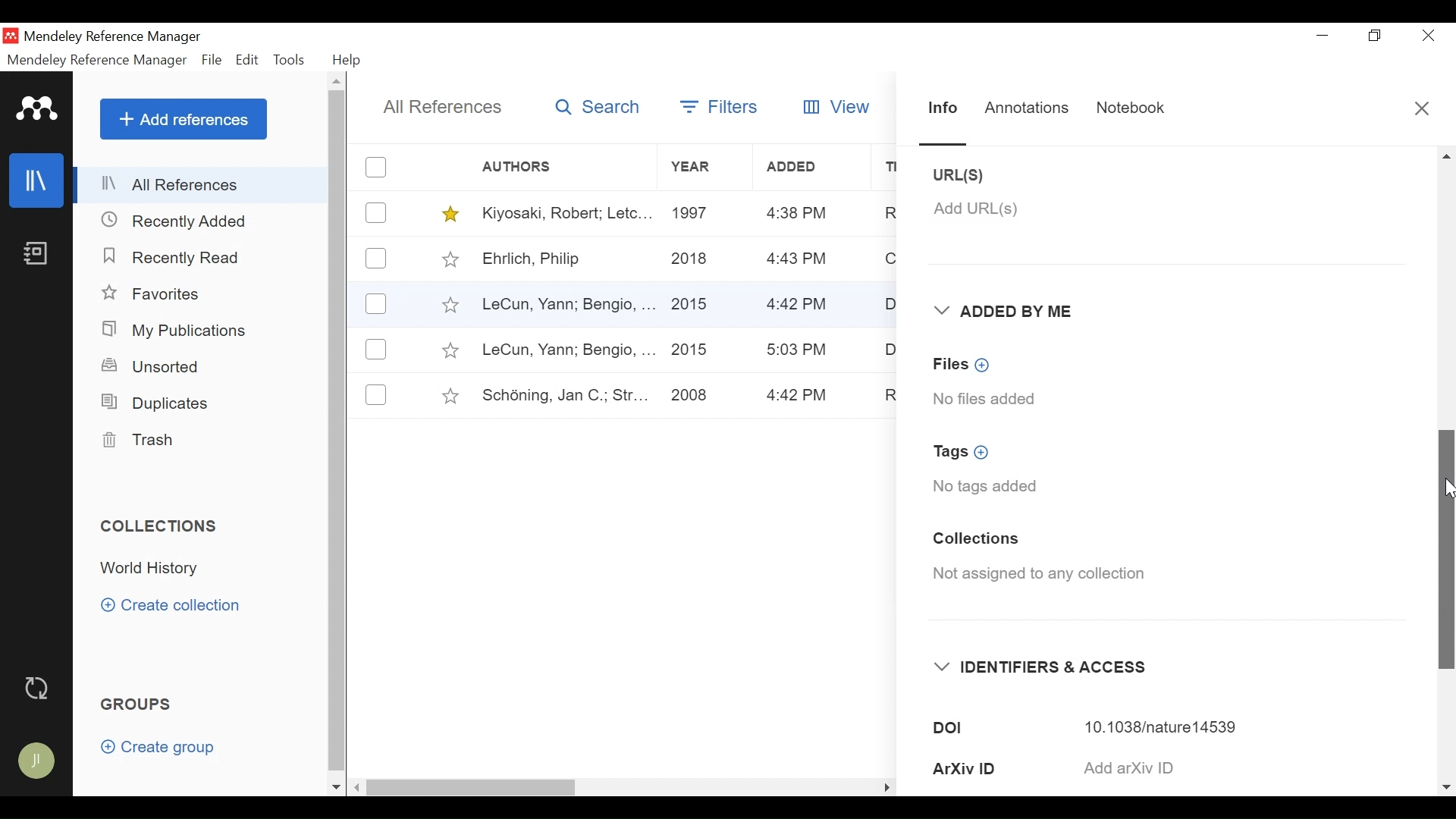 Image resolution: width=1456 pixels, height=819 pixels. Describe the element at coordinates (1447, 548) in the screenshot. I see `Vertical Scroll bar` at that location.